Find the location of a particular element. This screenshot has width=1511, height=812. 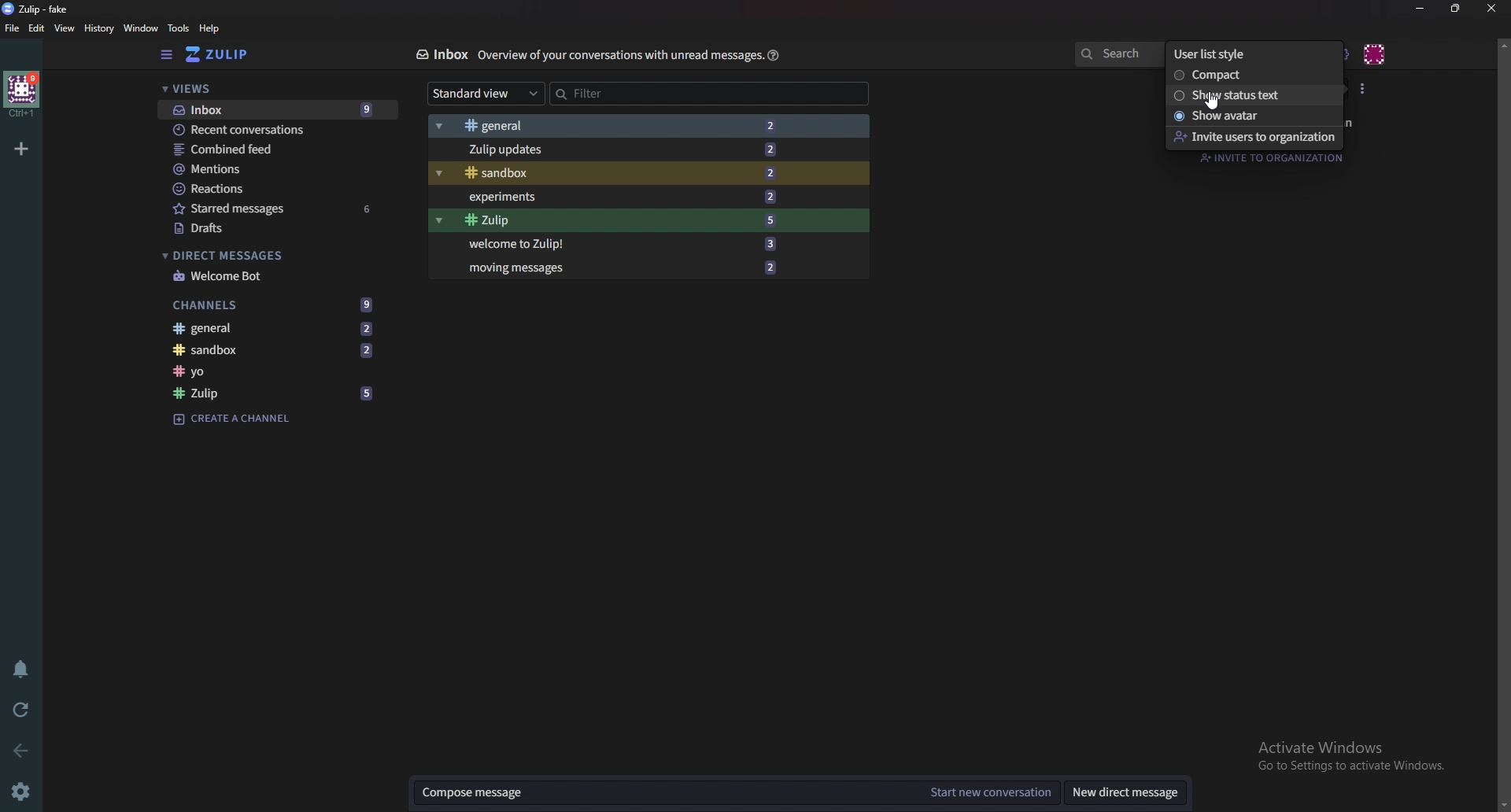

New direct message is located at coordinates (1130, 793).